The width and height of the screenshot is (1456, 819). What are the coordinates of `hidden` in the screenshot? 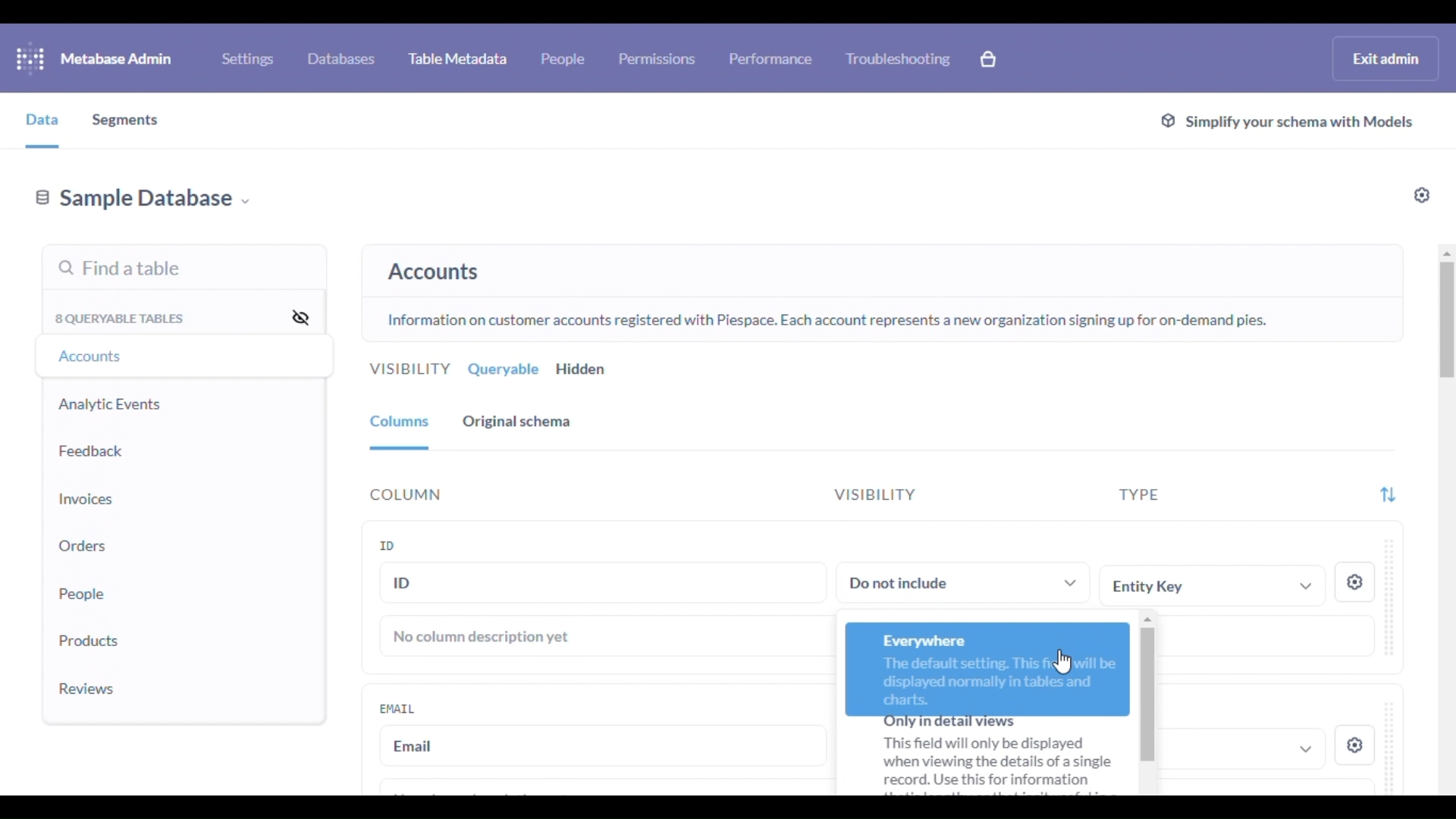 It's located at (582, 369).